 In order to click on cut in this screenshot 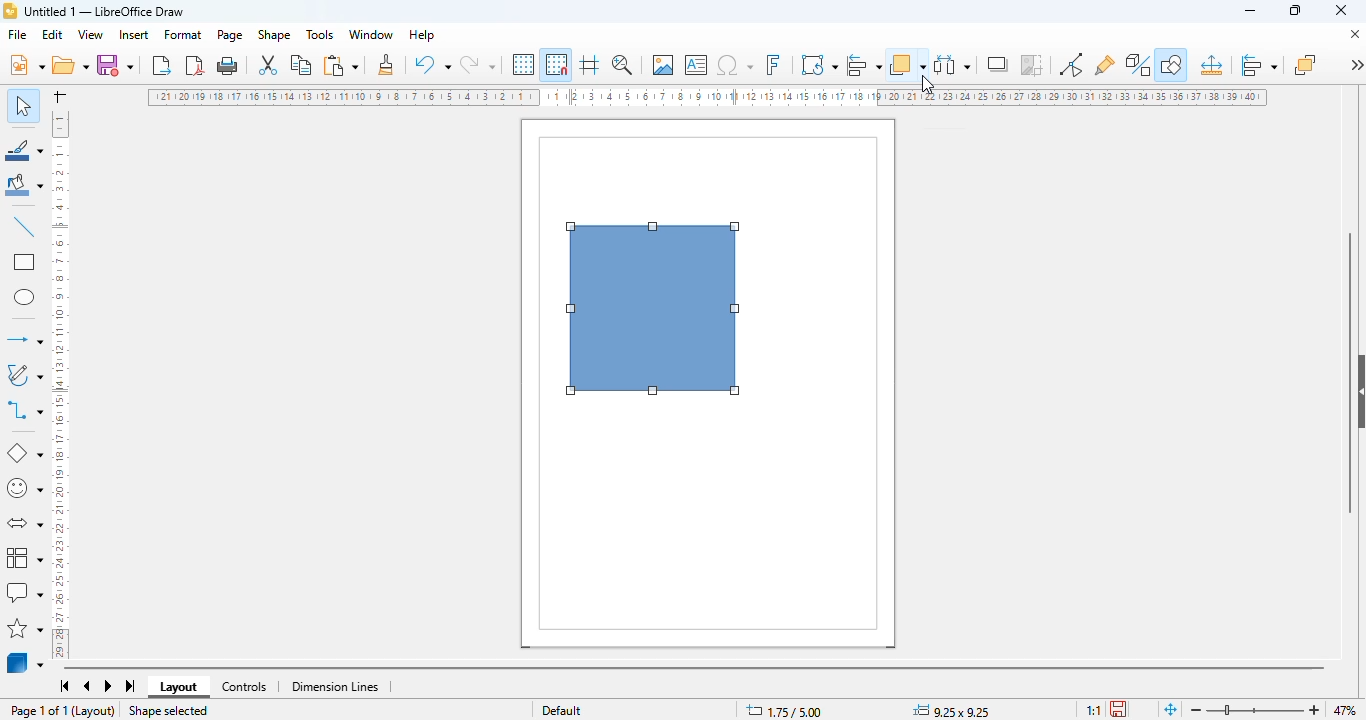, I will do `click(269, 65)`.